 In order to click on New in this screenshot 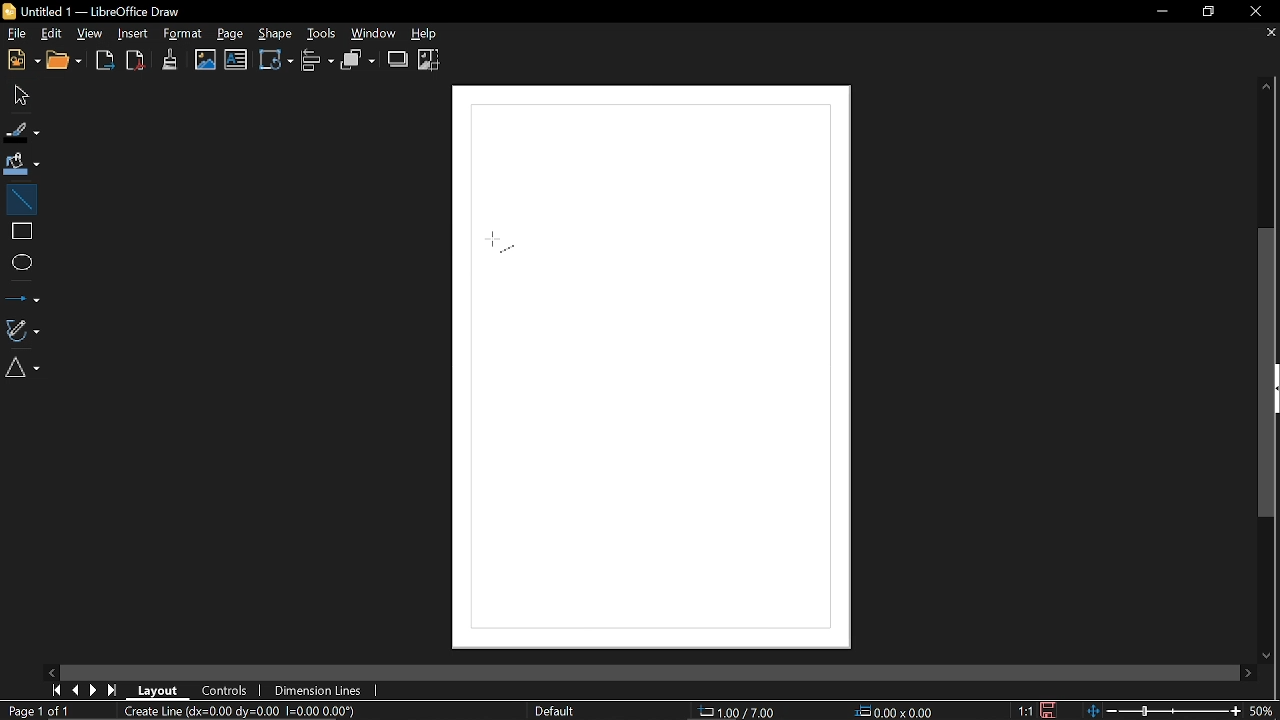, I will do `click(21, 61)`.